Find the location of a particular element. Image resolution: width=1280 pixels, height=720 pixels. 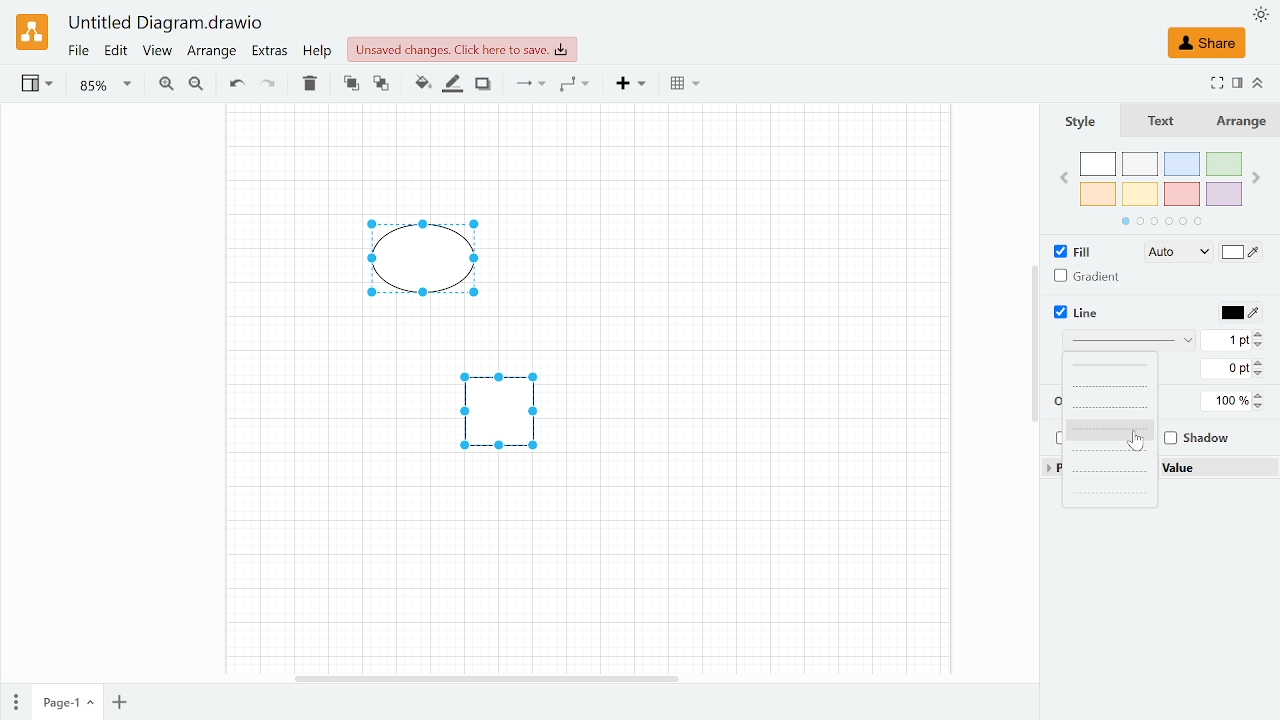

text is located at coordinates (1156, 120).